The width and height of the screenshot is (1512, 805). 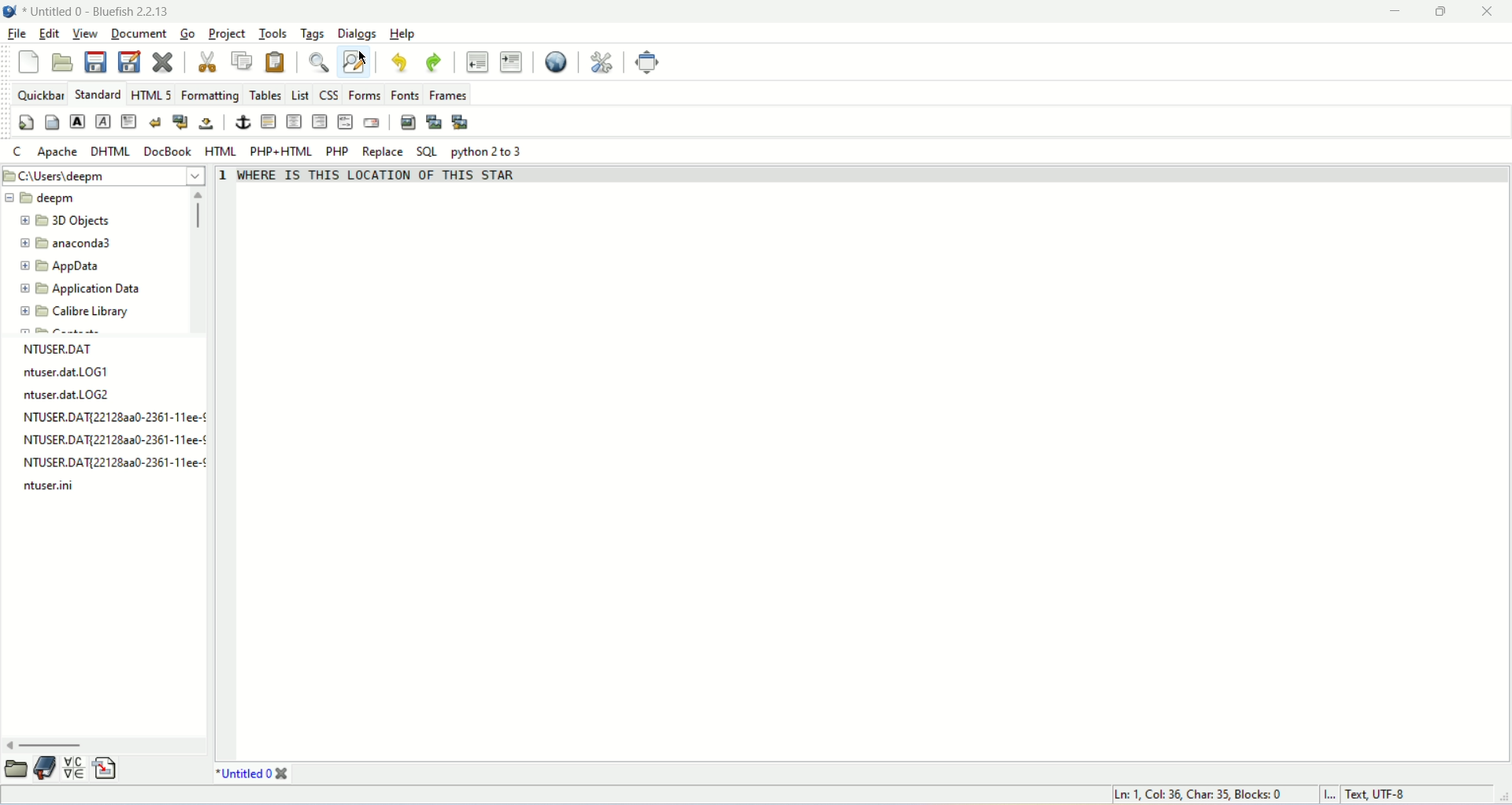 I want to click on Application Data, so click(x=80, y=289).